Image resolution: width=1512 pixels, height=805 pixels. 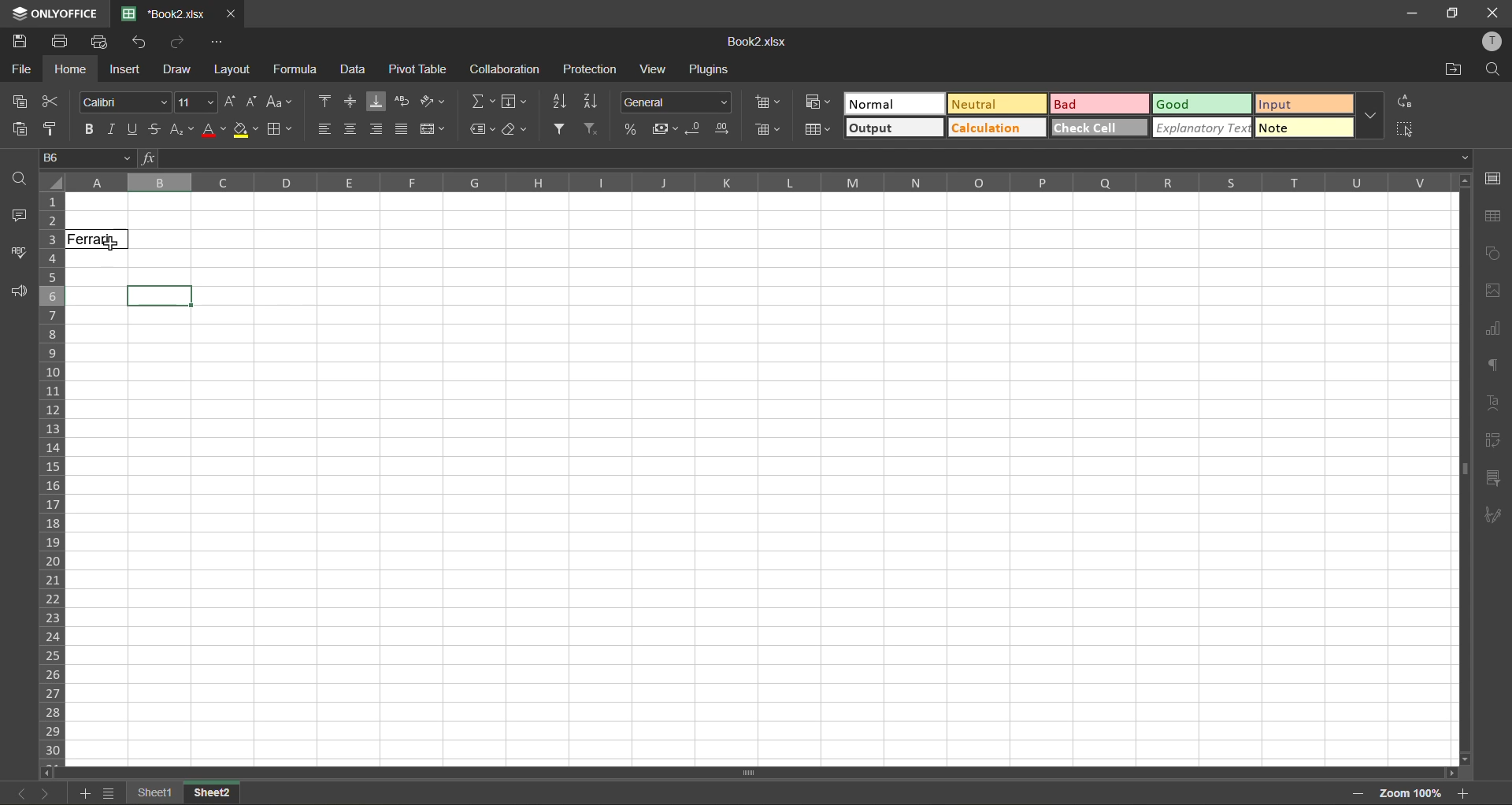 I want to click on align left, so click(x=325, y=128).